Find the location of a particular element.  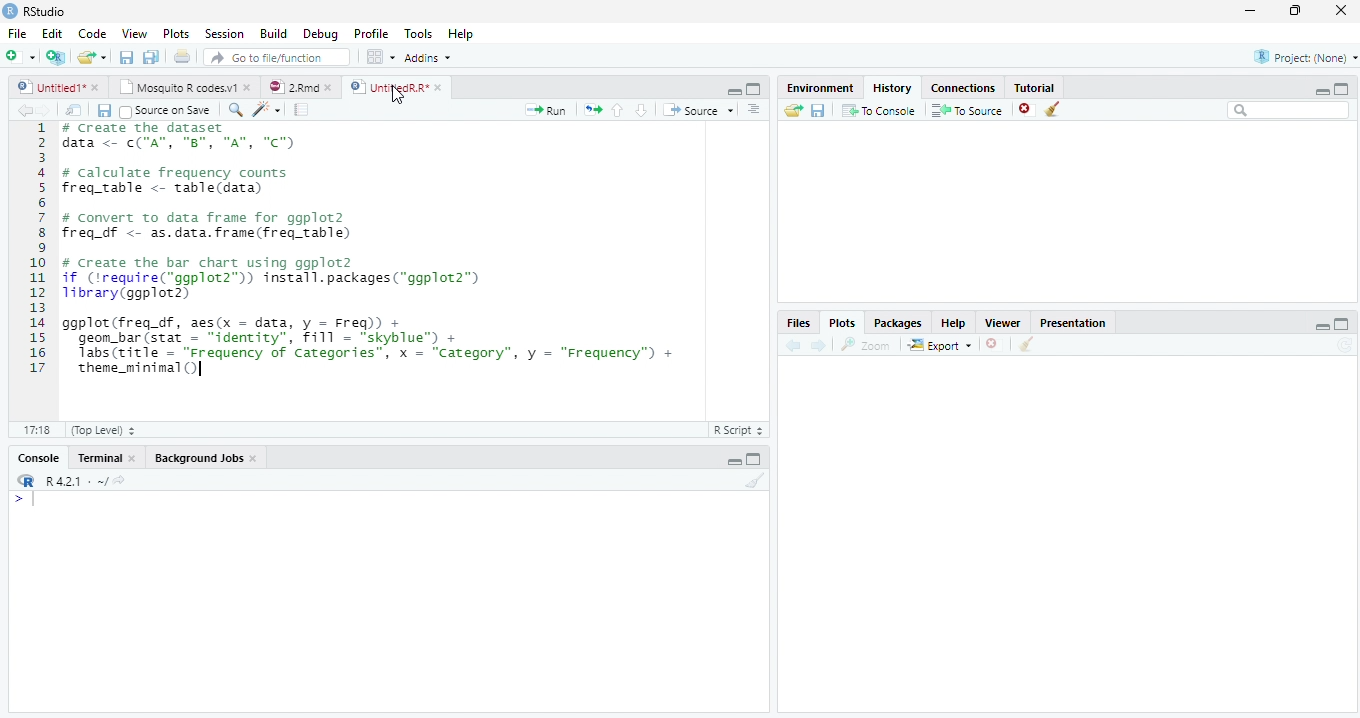

Back is located at coordinates (23, 110).